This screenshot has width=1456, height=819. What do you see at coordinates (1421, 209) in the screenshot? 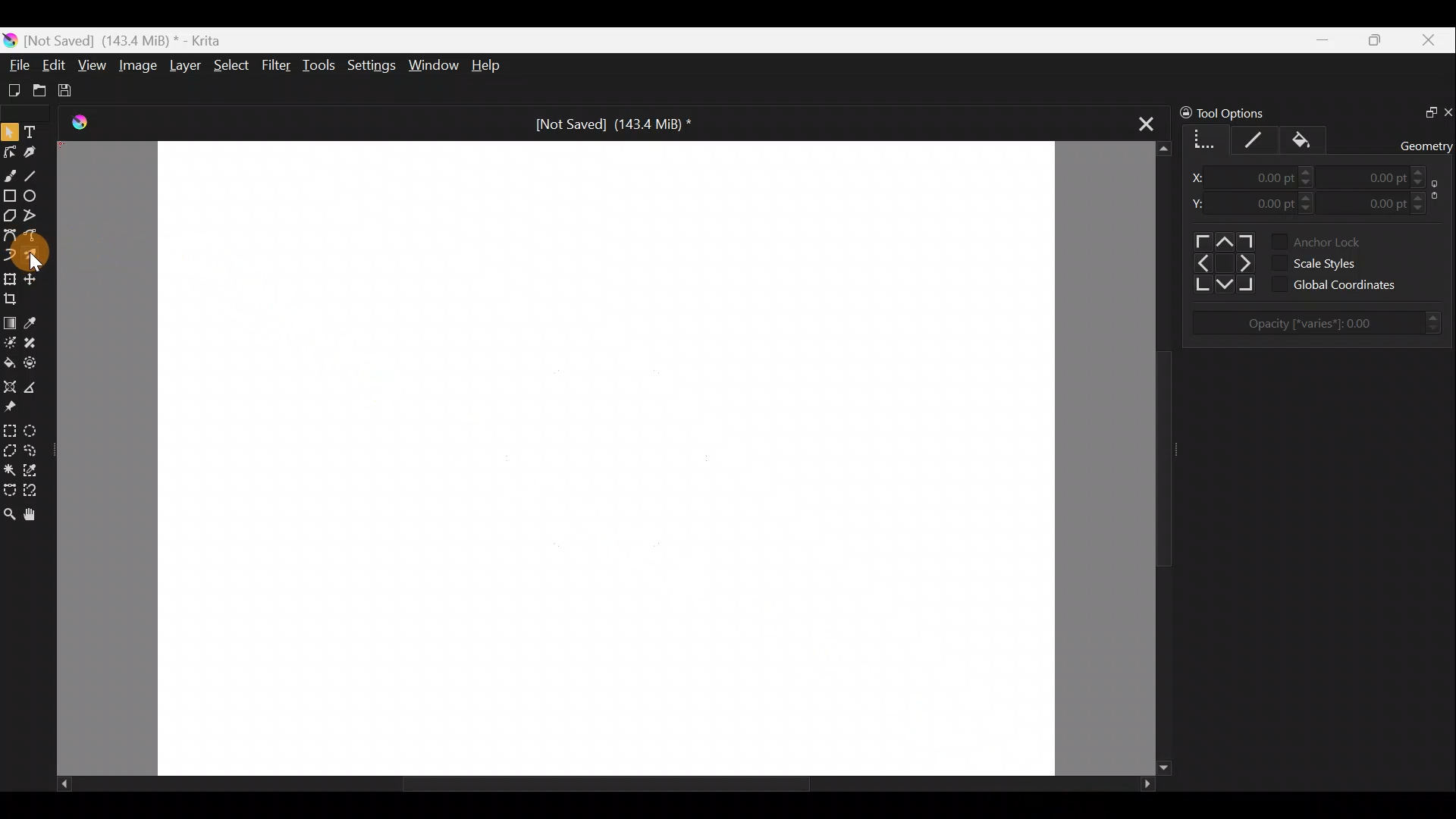
I see `Decrease` at bounding box center [1421, 209].